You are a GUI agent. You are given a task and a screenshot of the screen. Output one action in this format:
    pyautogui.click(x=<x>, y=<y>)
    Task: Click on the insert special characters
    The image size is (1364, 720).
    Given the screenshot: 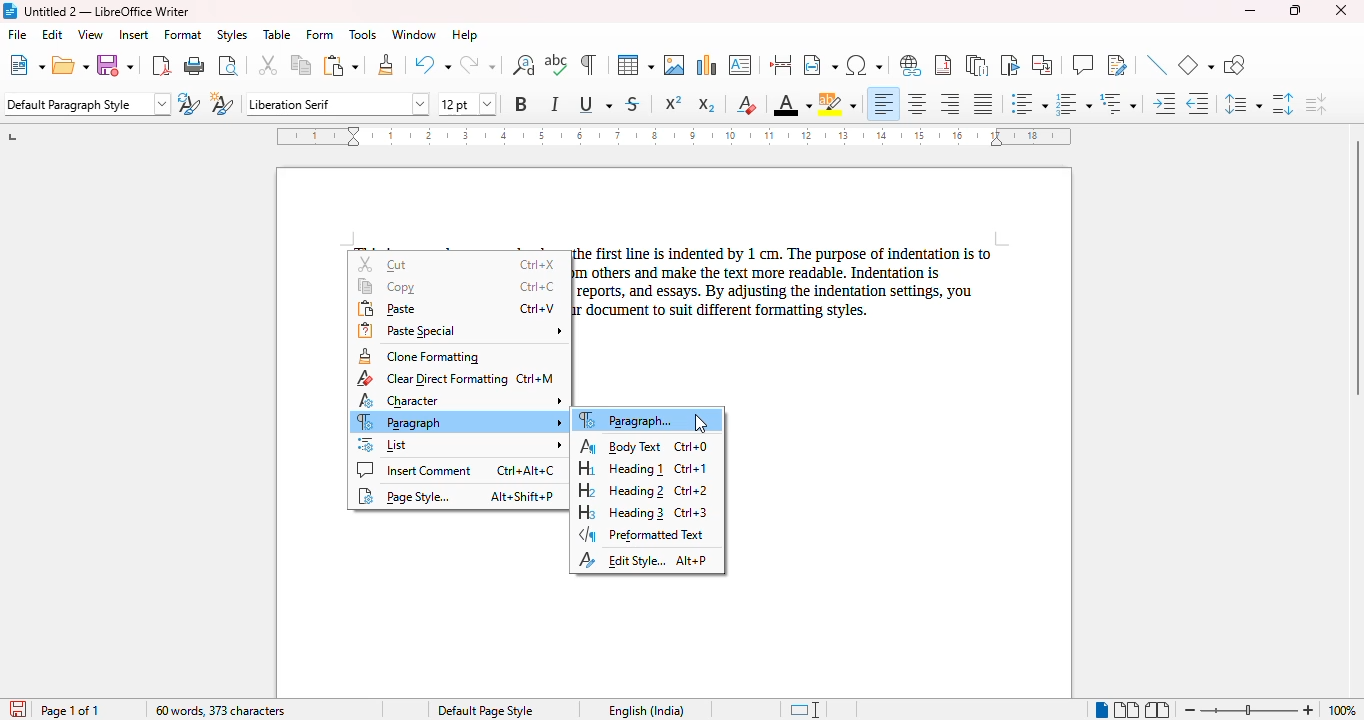 What is the action you would take?
    pyautogui.click(x=865, y=65)
    